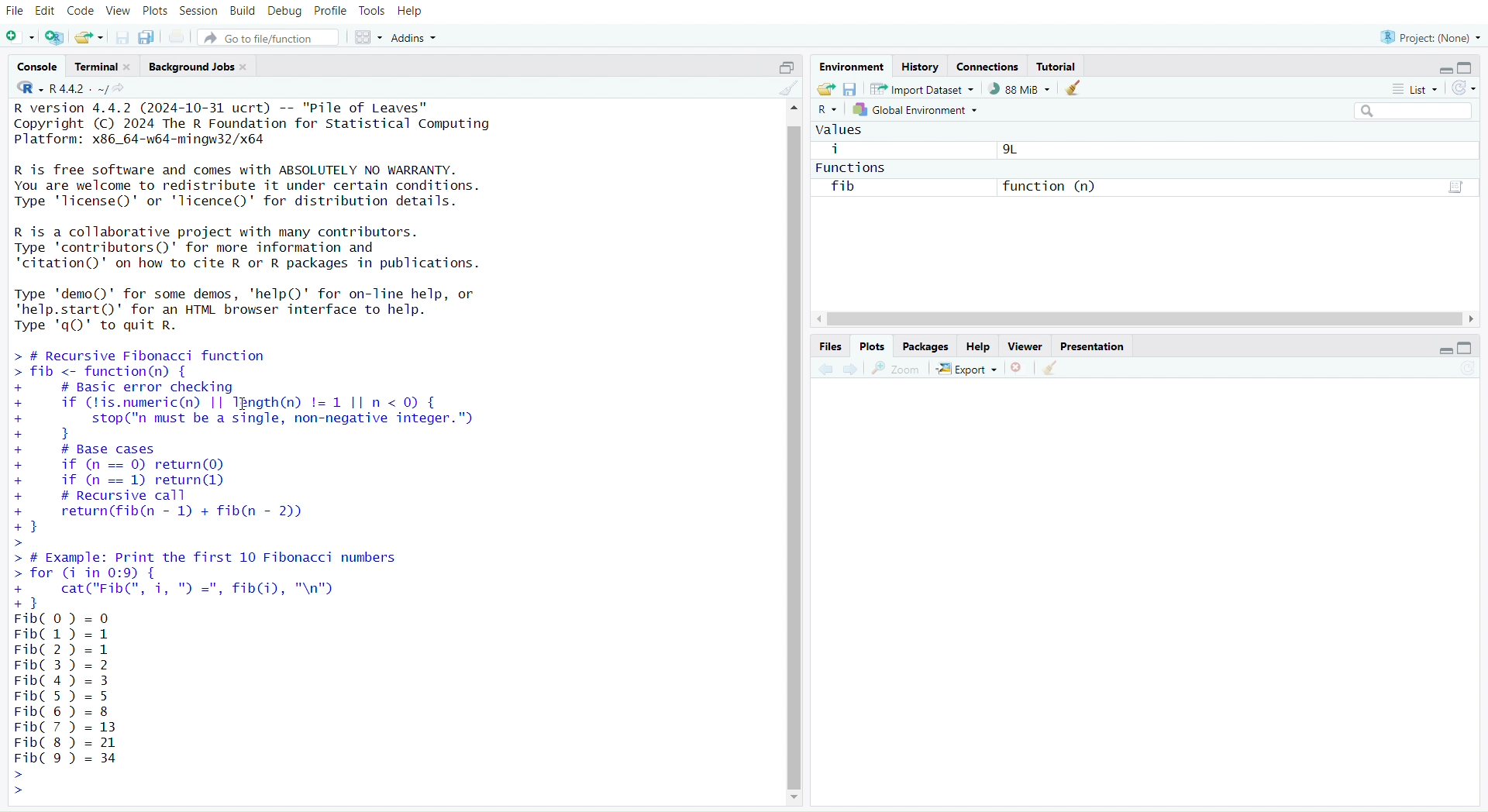 The image size is (1488, 812). What do you see at coordinates (243, 11) in the screenshot?
I see `build` at bounding box center [243, 11].